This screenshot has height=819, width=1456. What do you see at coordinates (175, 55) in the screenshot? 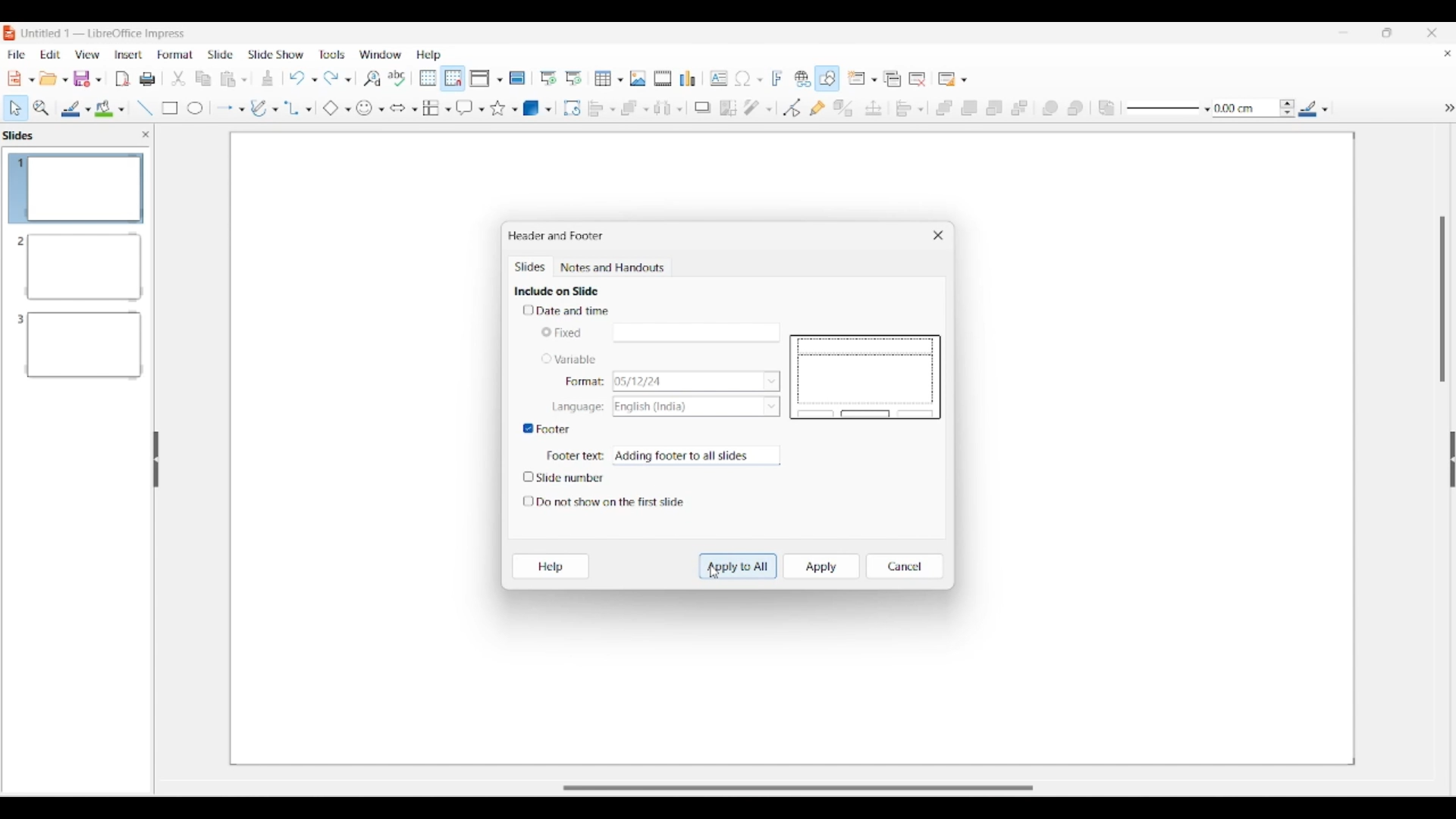
I see `Format menu` at bounding box center [175, 55].